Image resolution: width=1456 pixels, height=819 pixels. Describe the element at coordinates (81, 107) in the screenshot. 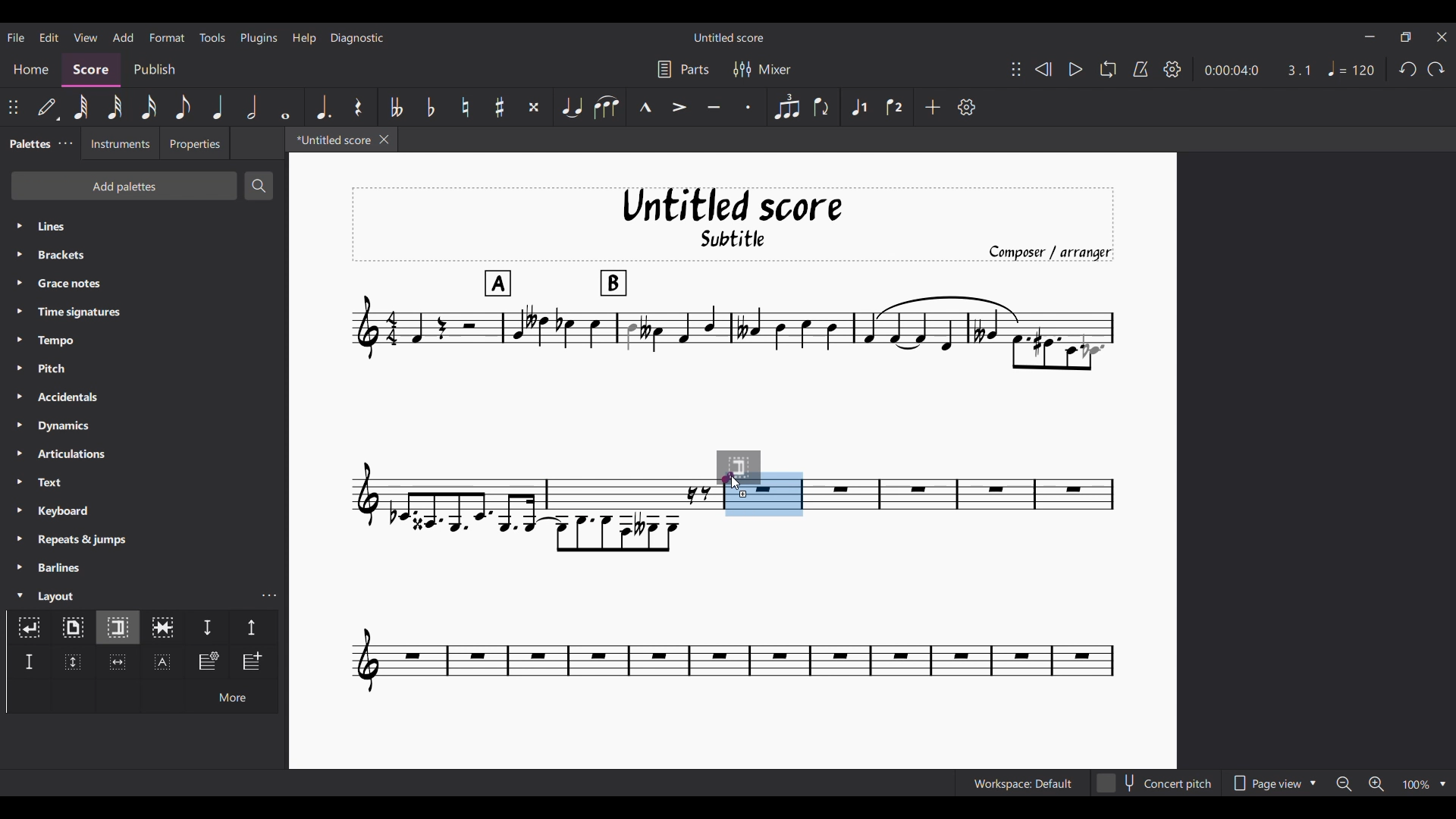

I see `64th note` at that location.